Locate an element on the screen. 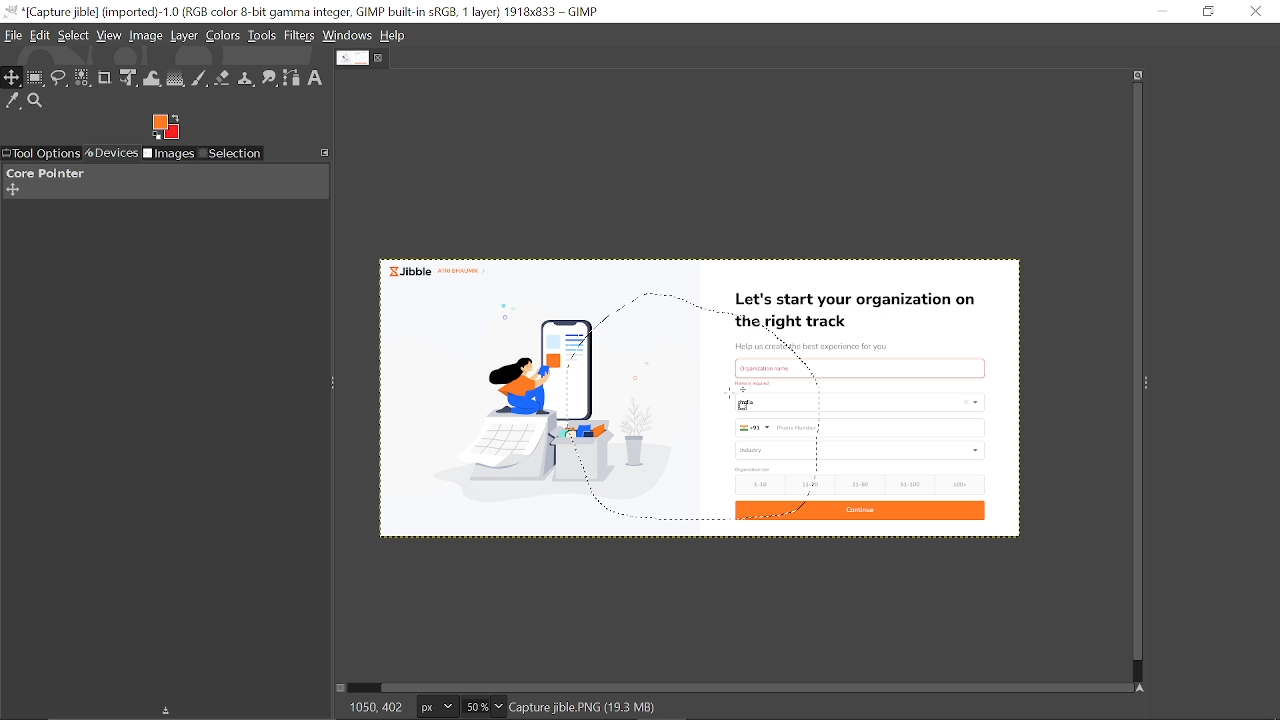 This screenshot has height=720, width=1280. Move tool is located at coordinates (12, 78).